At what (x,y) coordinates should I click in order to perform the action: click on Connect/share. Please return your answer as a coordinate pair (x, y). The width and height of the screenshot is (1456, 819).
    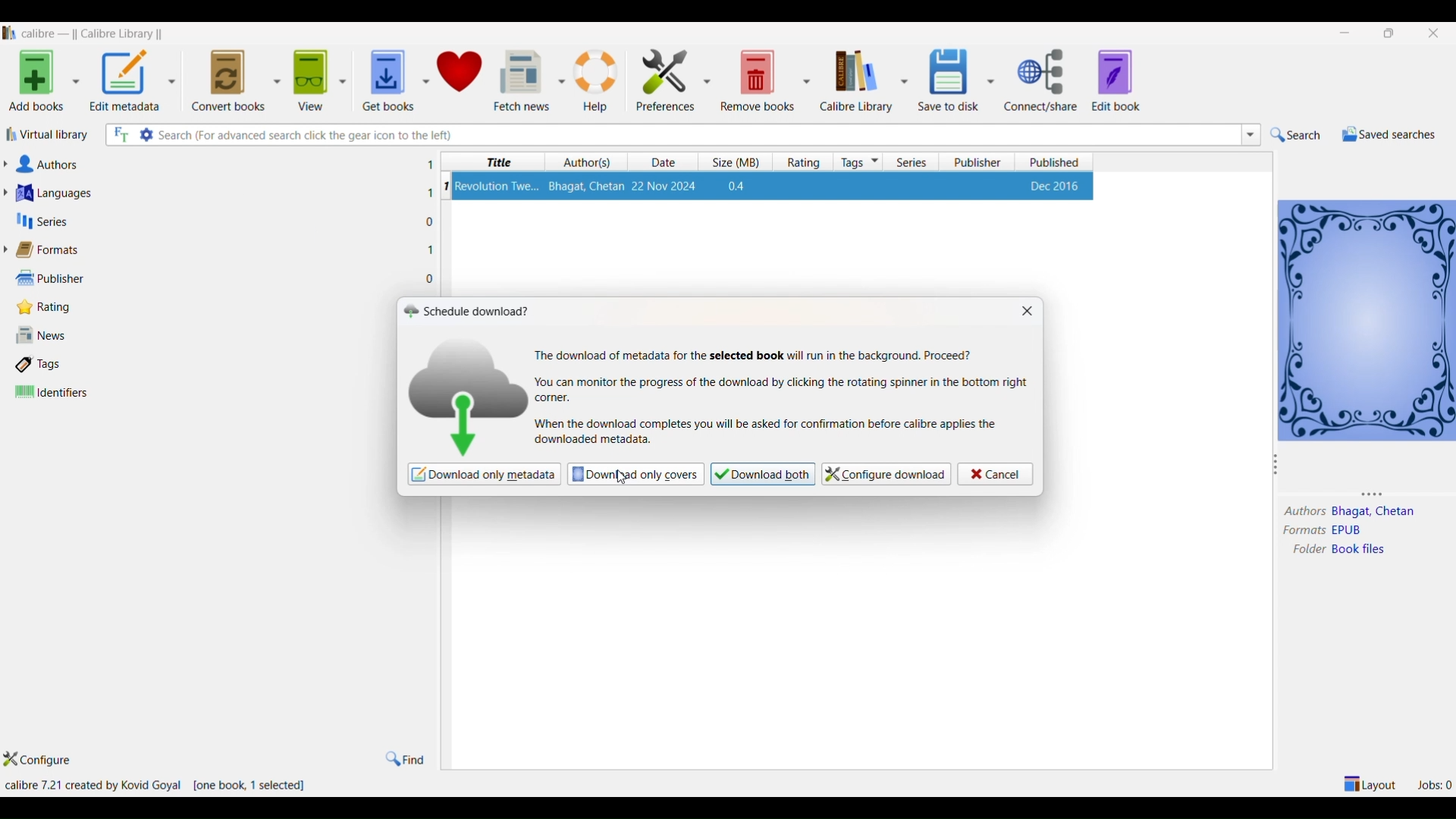
    Looking at the image, I should click on (1043, 80).